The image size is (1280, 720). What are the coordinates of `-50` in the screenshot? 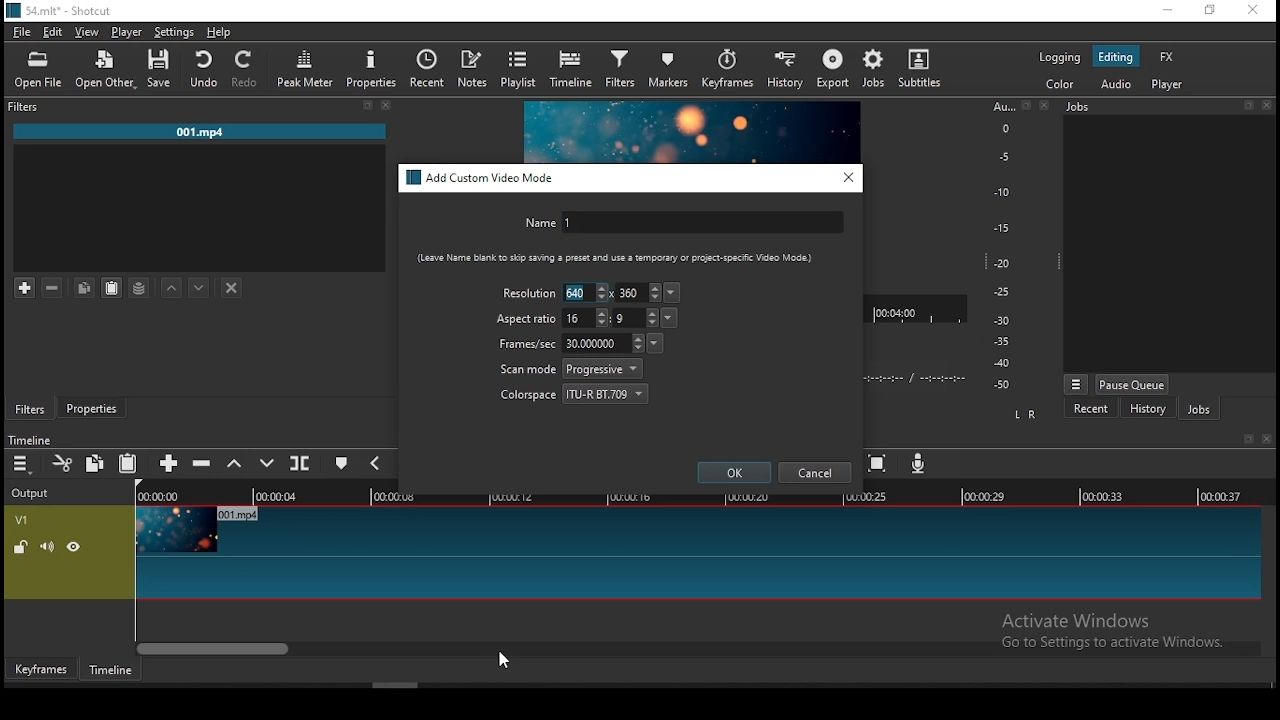 It's located at (1002, 385).